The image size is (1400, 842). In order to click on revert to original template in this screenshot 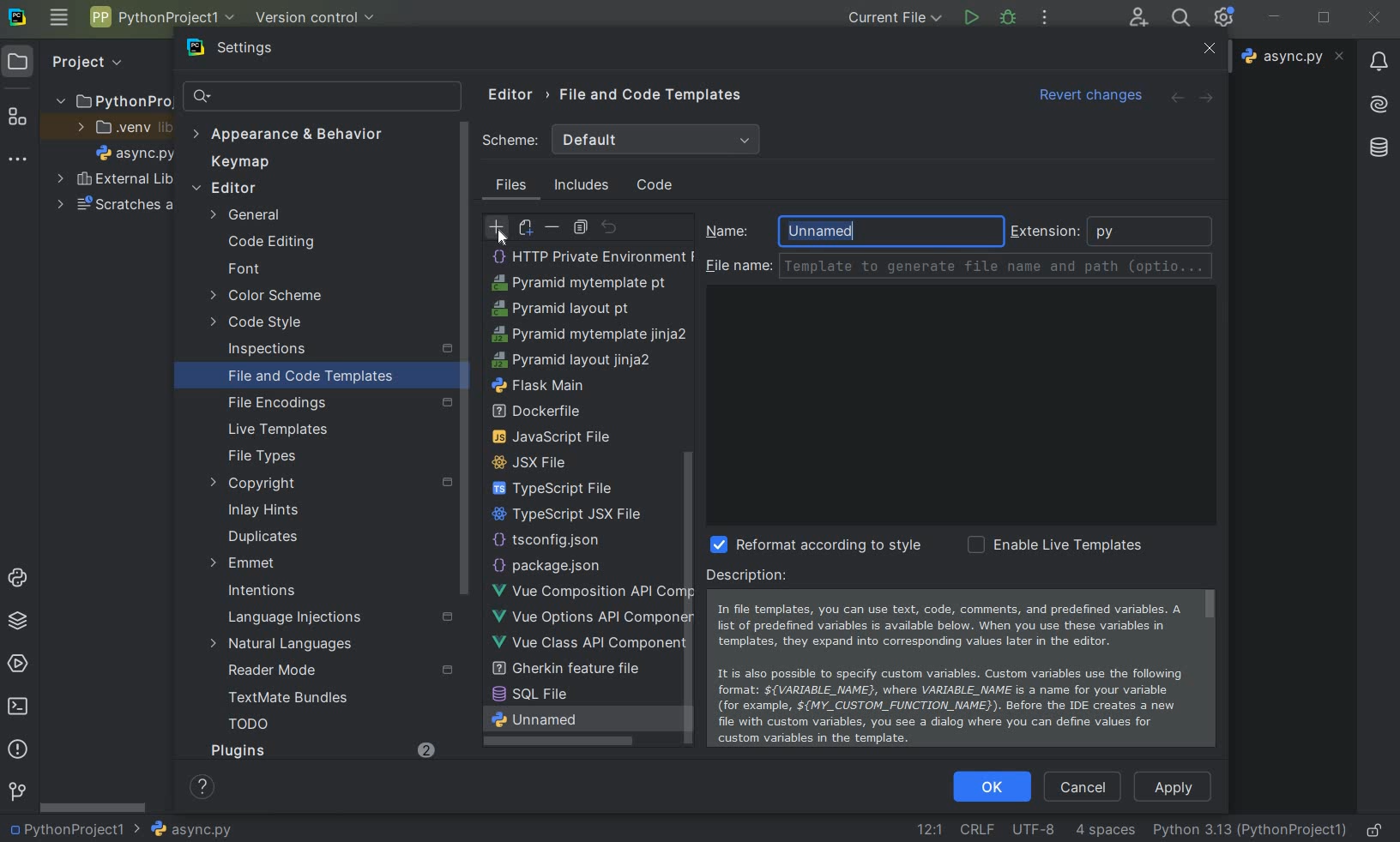, I will do `click(611, 227)`.